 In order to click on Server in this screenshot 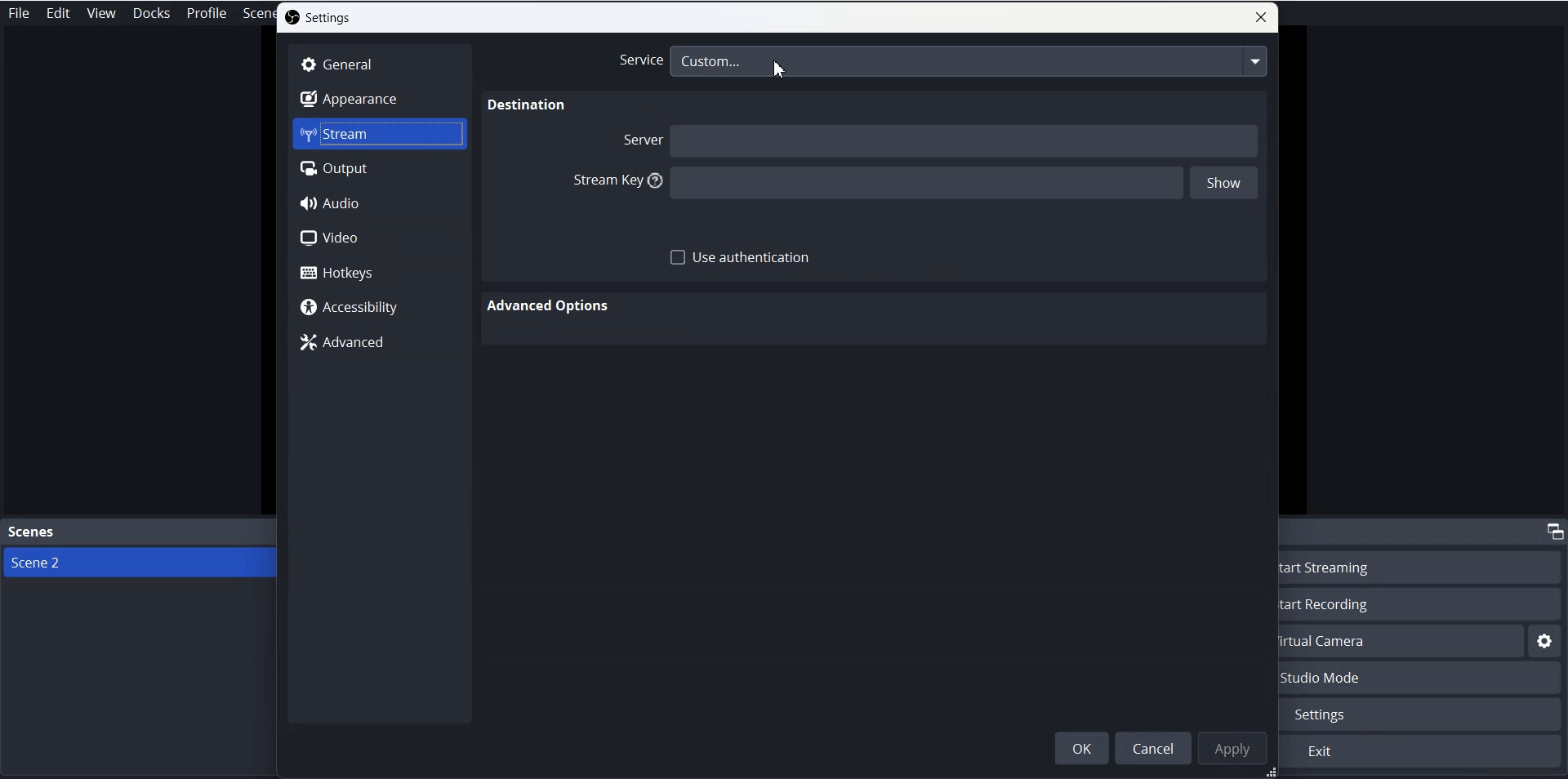, I will do `click(942, 142)`.